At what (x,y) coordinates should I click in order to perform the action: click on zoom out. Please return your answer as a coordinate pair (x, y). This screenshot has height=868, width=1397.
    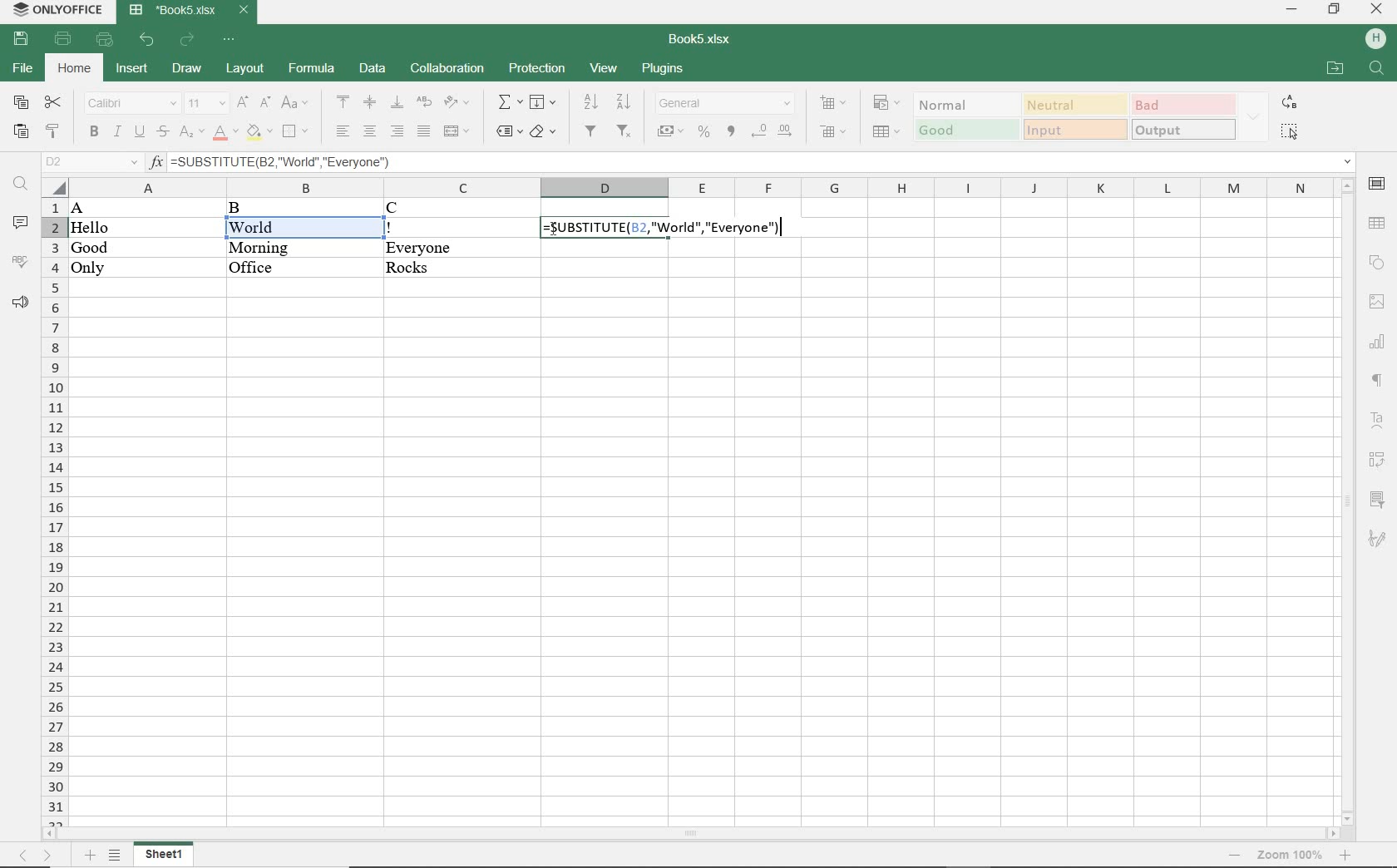
    Looking at the image, I should click on (1233, 854).